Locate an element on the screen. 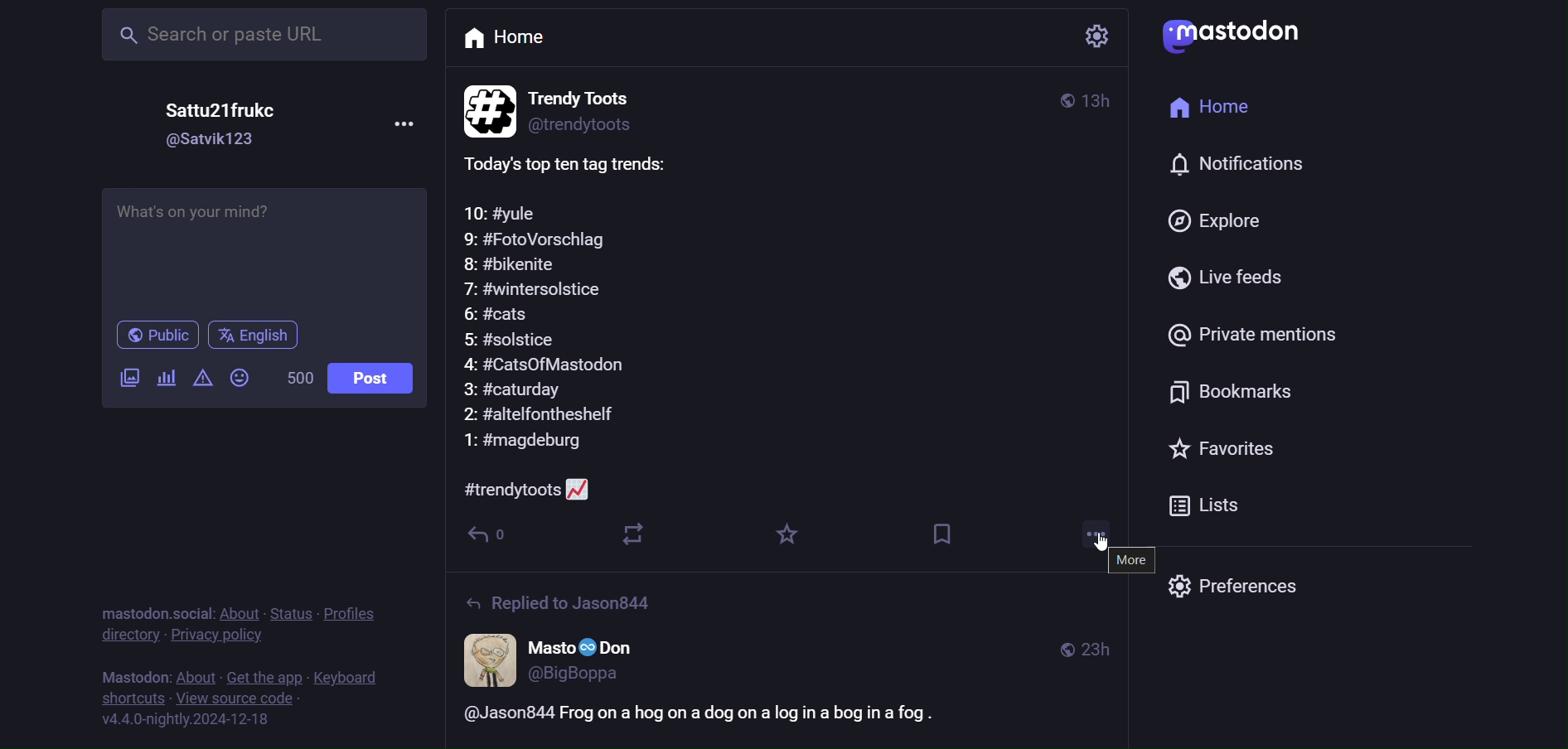 Image resolution: width=1568 pixels, height=749 pixels. about is located at coordinates (240, 610).